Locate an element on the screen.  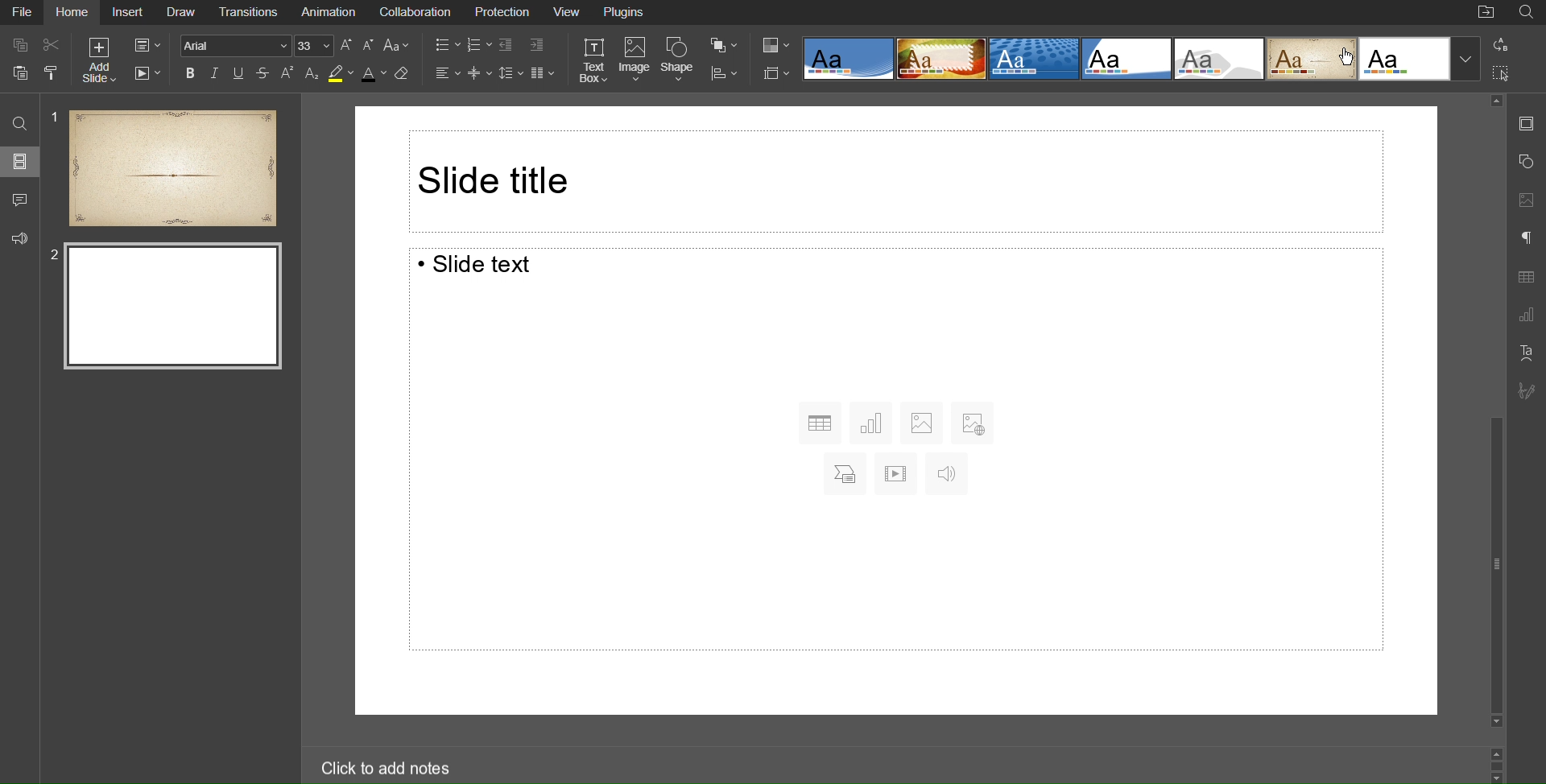
Slide Settings is located at coordinates (144, 43).